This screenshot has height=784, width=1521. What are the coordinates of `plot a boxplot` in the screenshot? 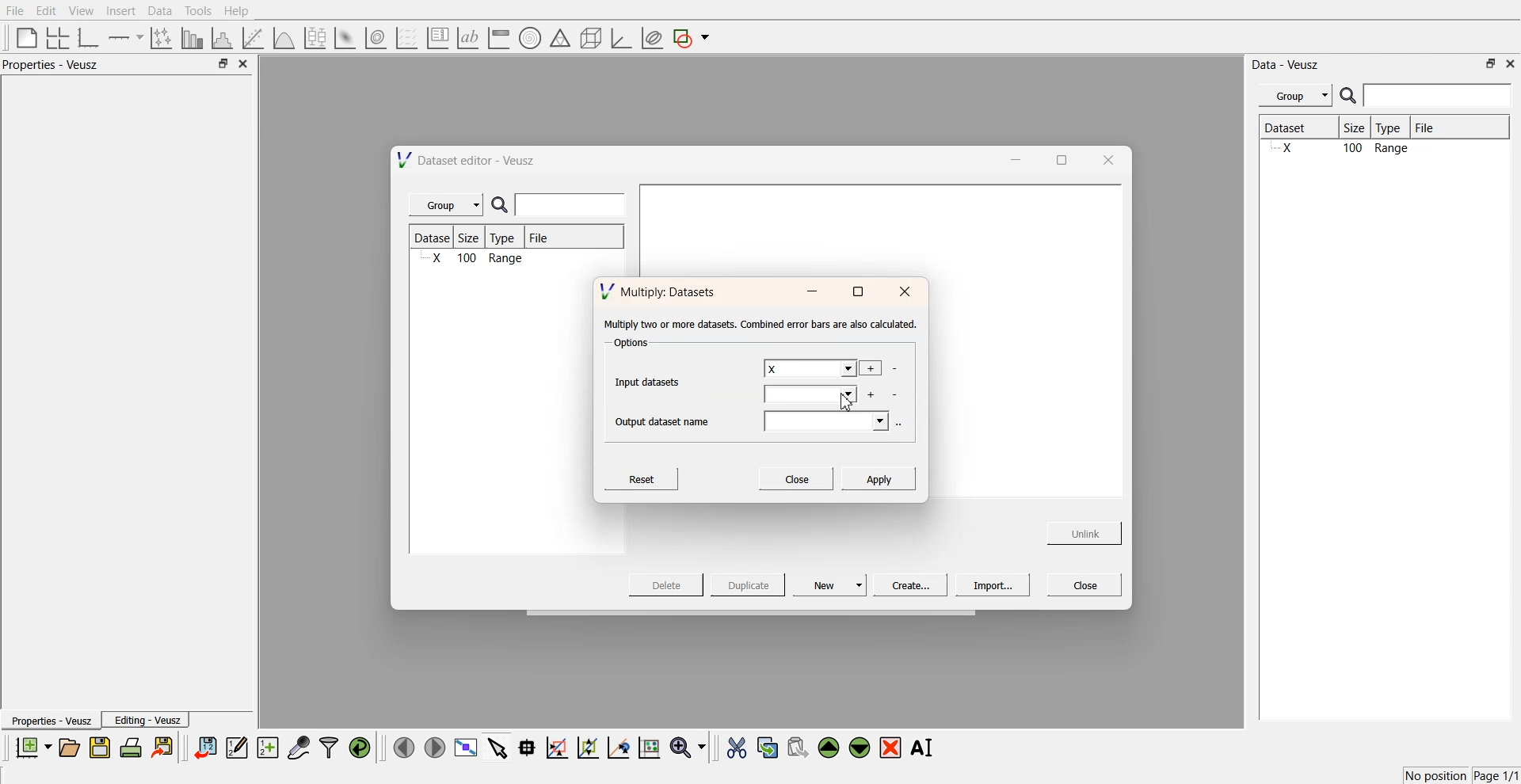 It's located at (314, 36).